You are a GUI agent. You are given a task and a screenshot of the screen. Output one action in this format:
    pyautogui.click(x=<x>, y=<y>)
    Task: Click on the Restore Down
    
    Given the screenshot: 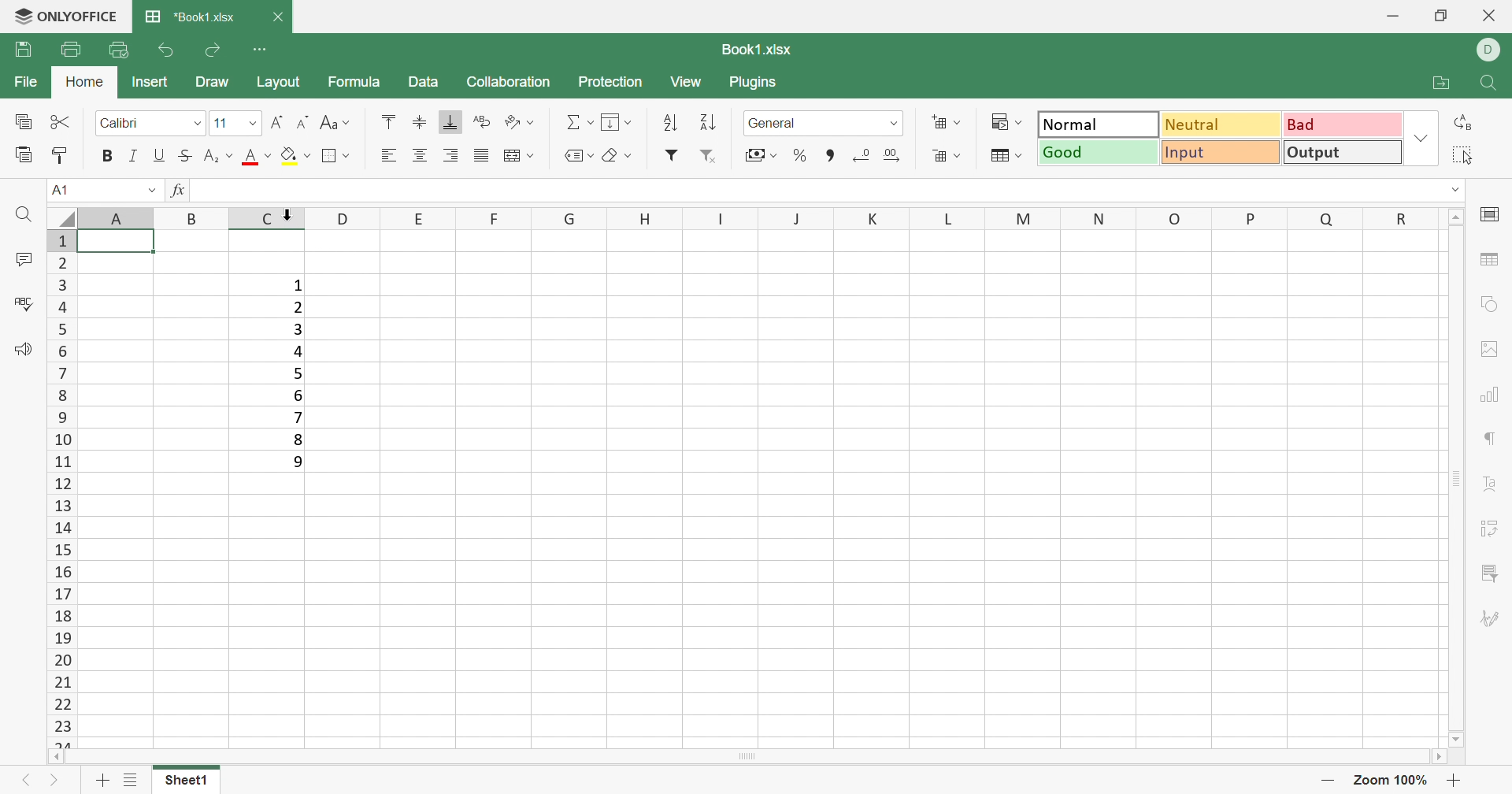 What is the action you would take?
    pyautogui.click(x=1440, y=17)
    